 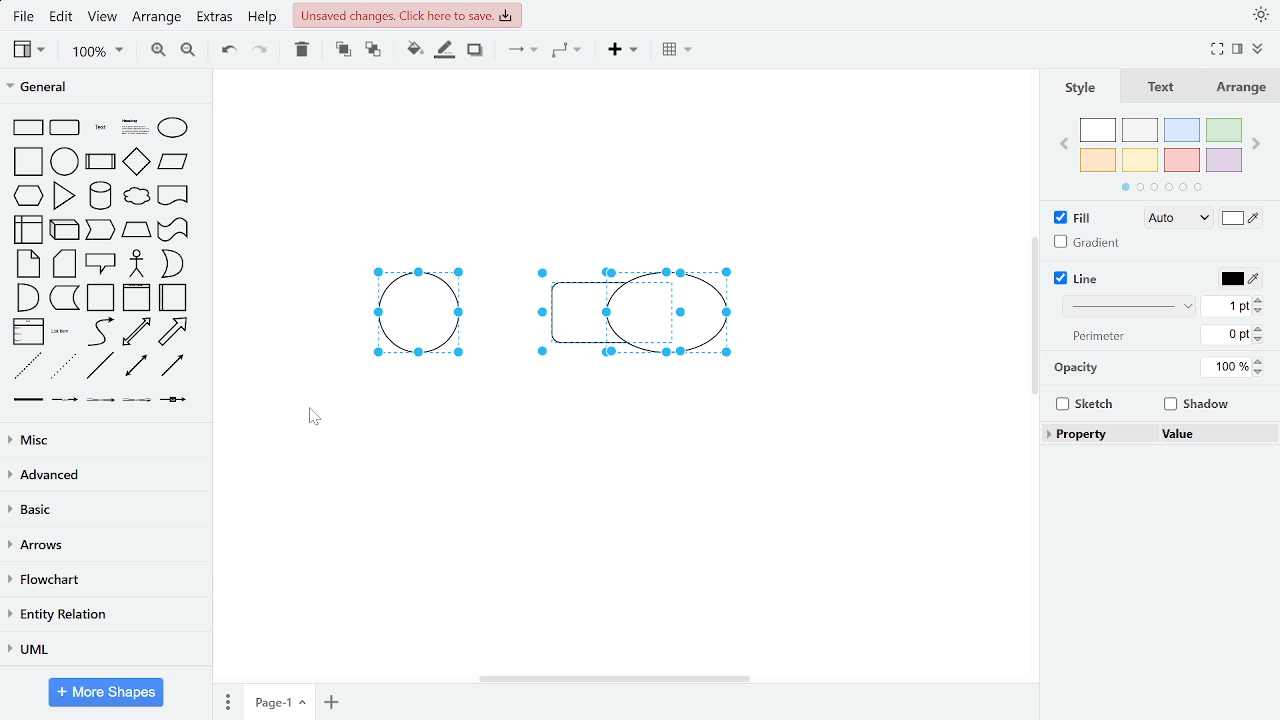 I want to click on yellow, so click(x=1142, y=160).